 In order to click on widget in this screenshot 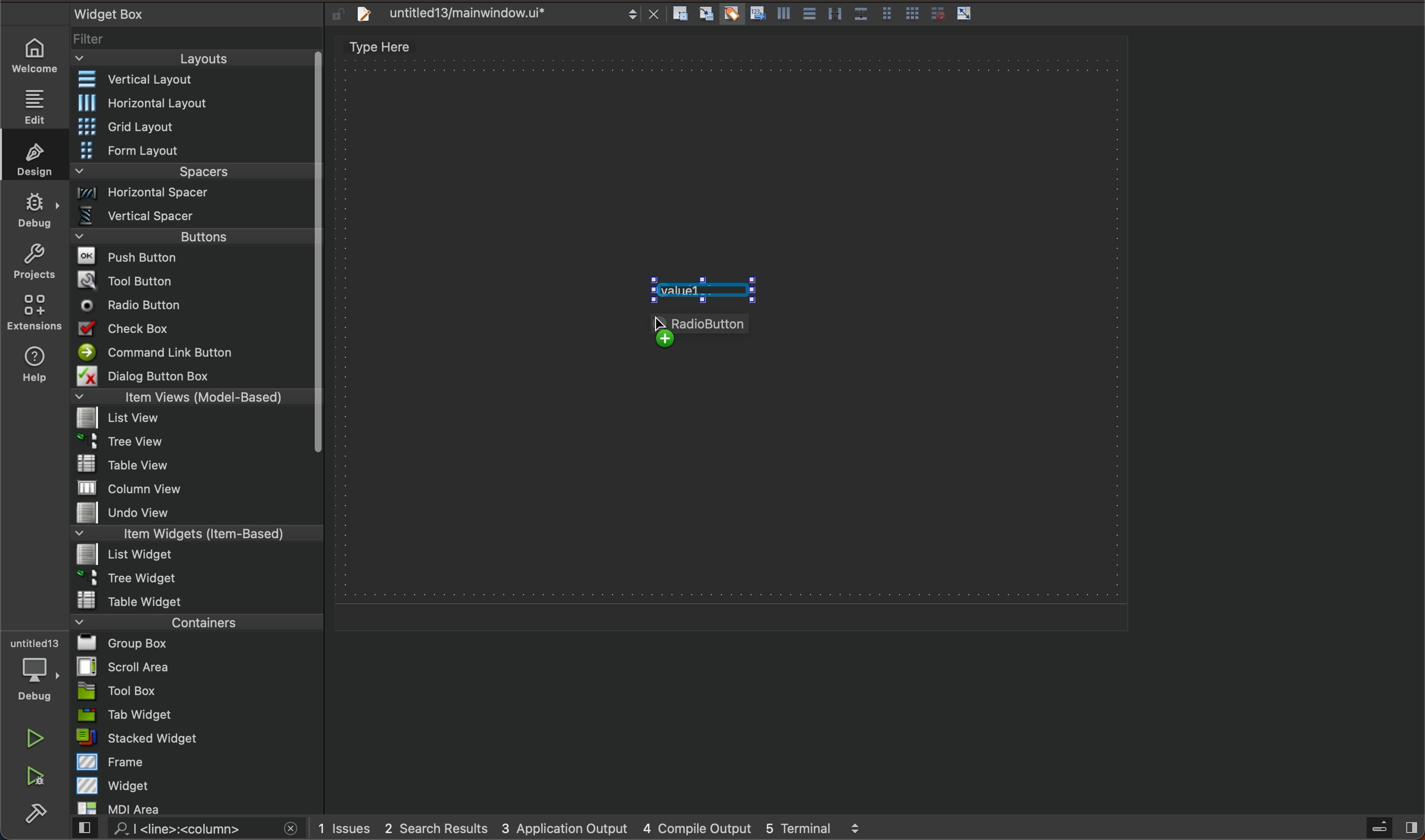, I will do `click(199, 785)`.